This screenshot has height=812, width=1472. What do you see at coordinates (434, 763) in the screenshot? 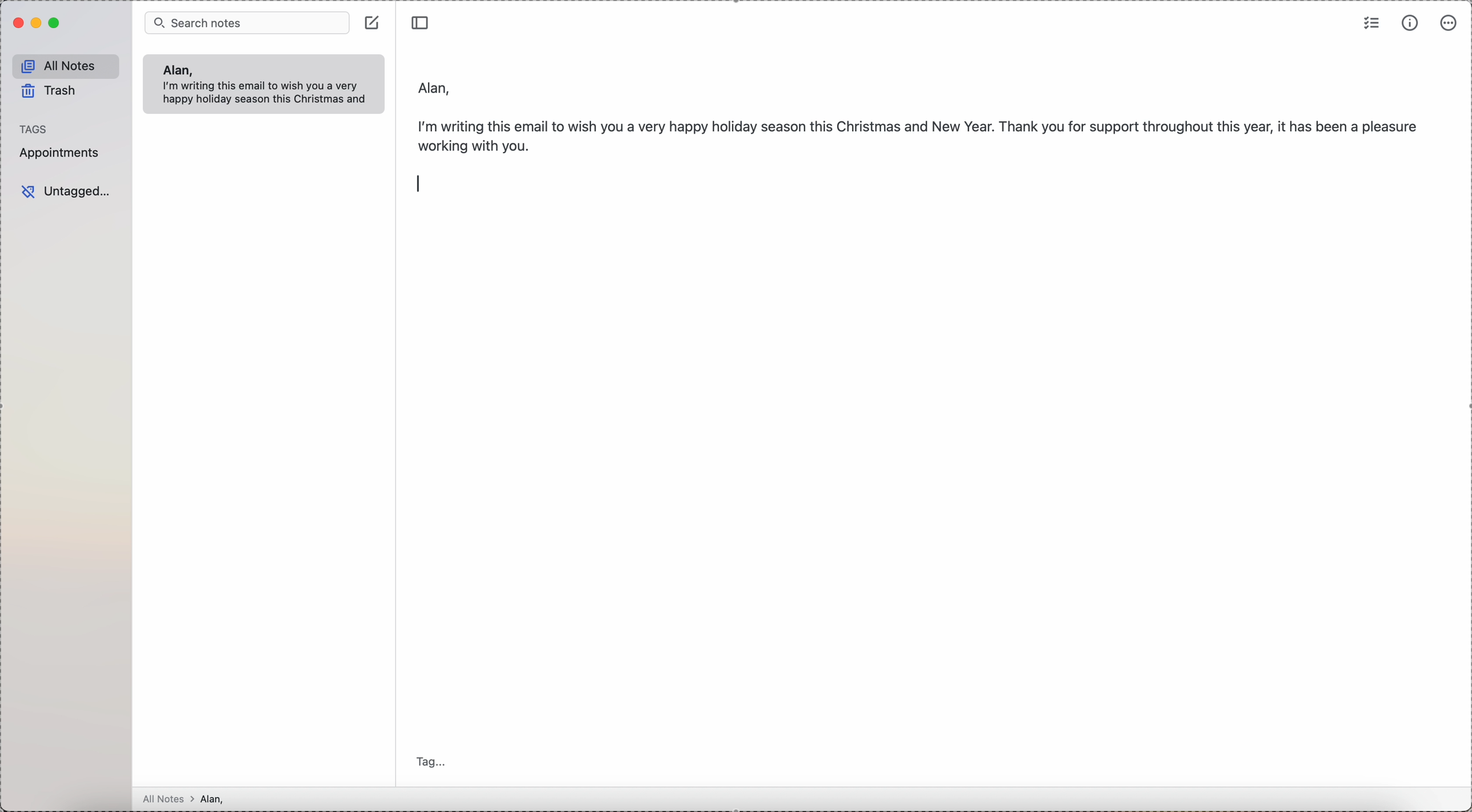
I see `tag` at bounding box center [434, 763].